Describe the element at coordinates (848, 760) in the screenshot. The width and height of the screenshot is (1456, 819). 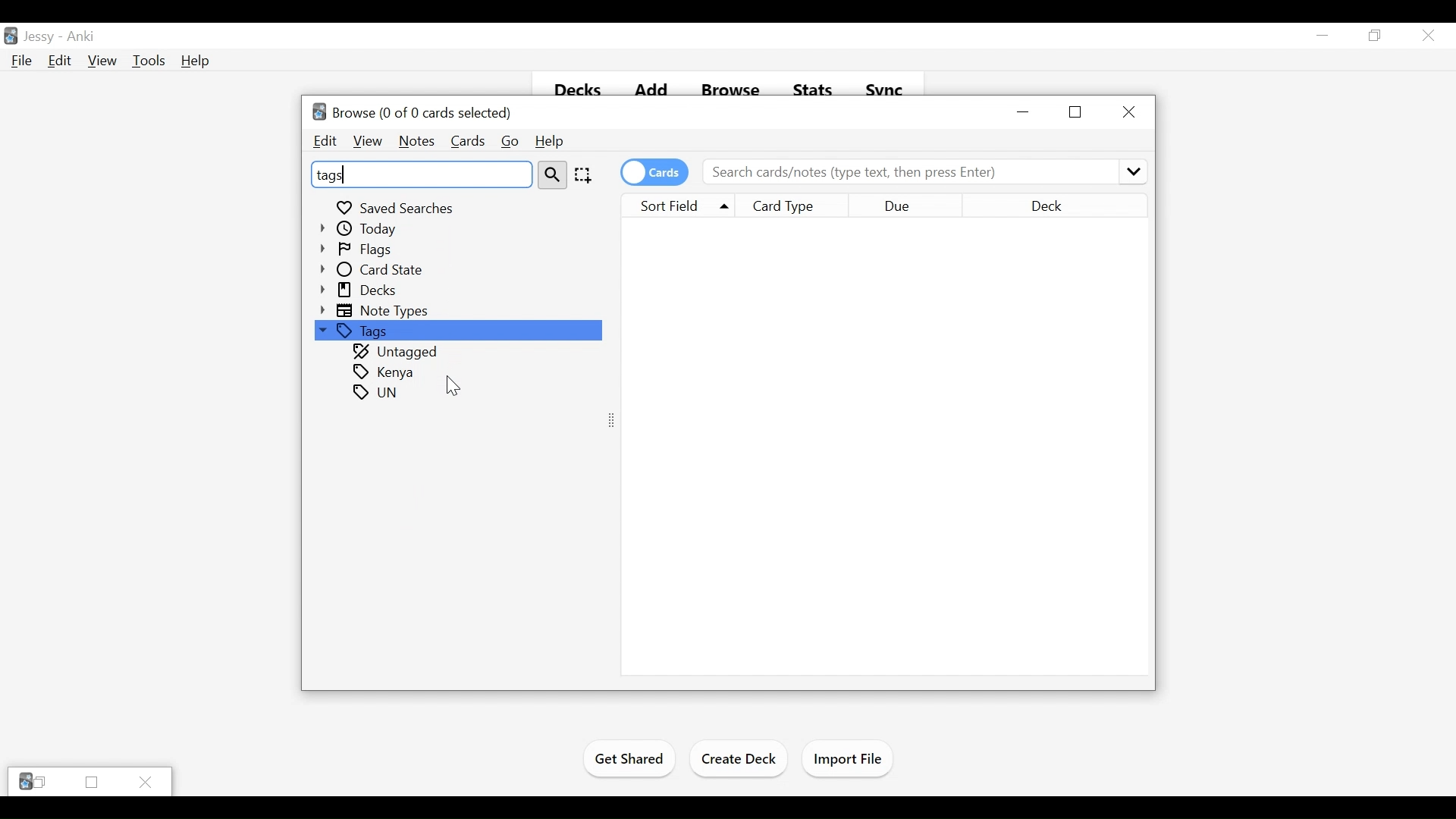
I see `Import Files` at that location.